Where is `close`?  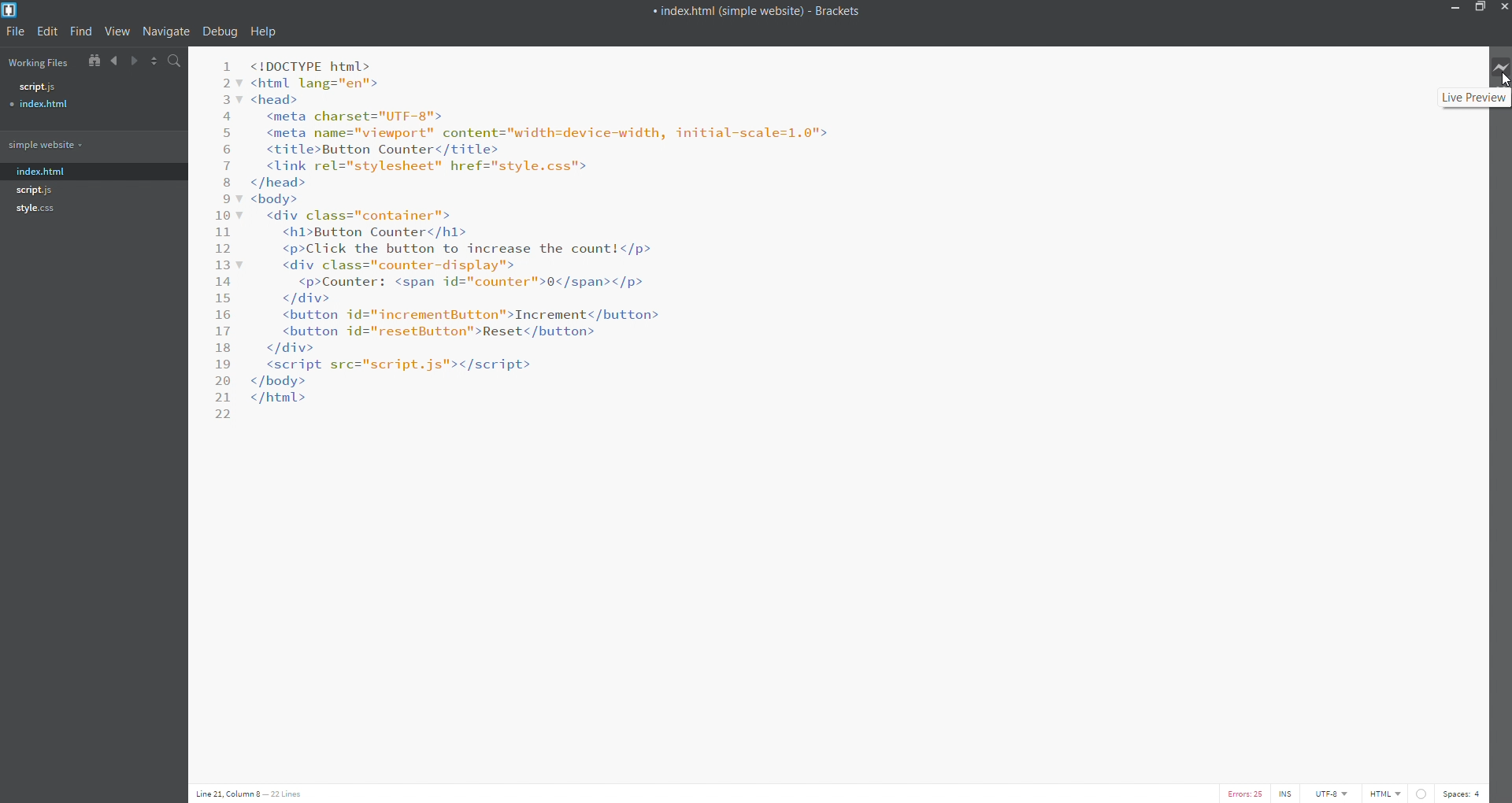 close is located at coordinates (1503, 9).